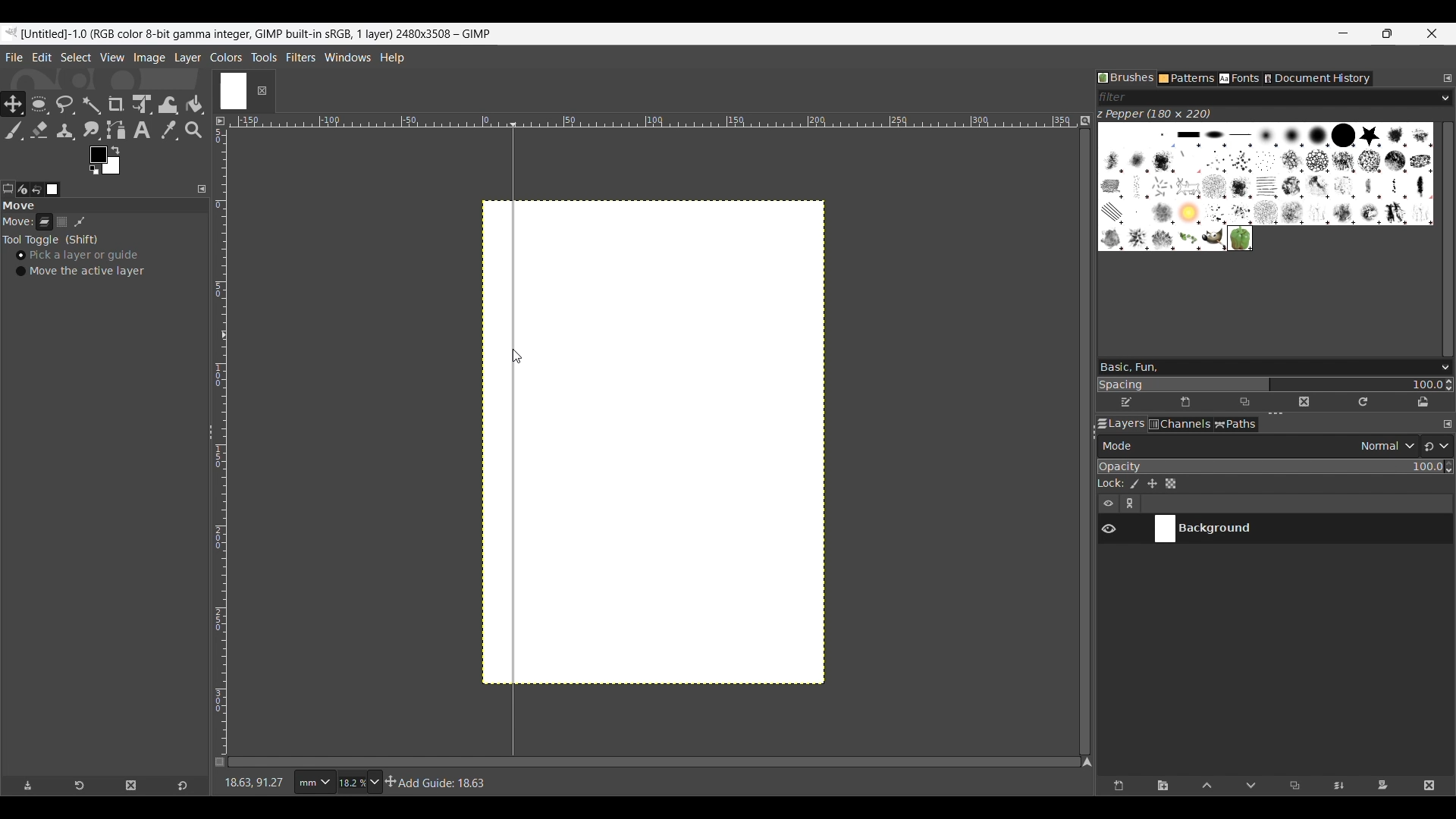 The height and width of the screenshot is (819, 1456). I want to click on View menu, so click(111, 57).